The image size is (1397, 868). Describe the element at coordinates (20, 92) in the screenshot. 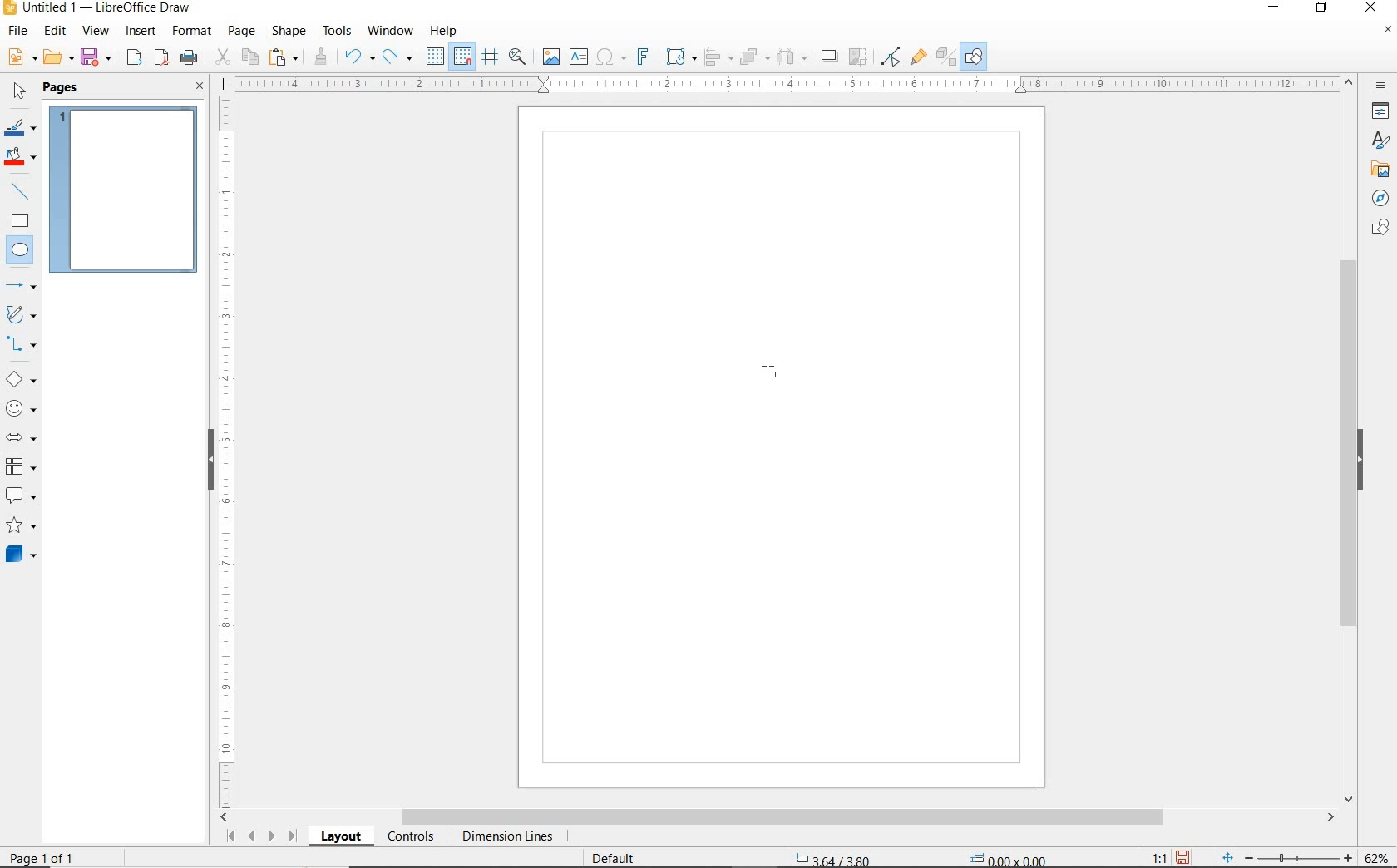

I see `SELECT` at that location.